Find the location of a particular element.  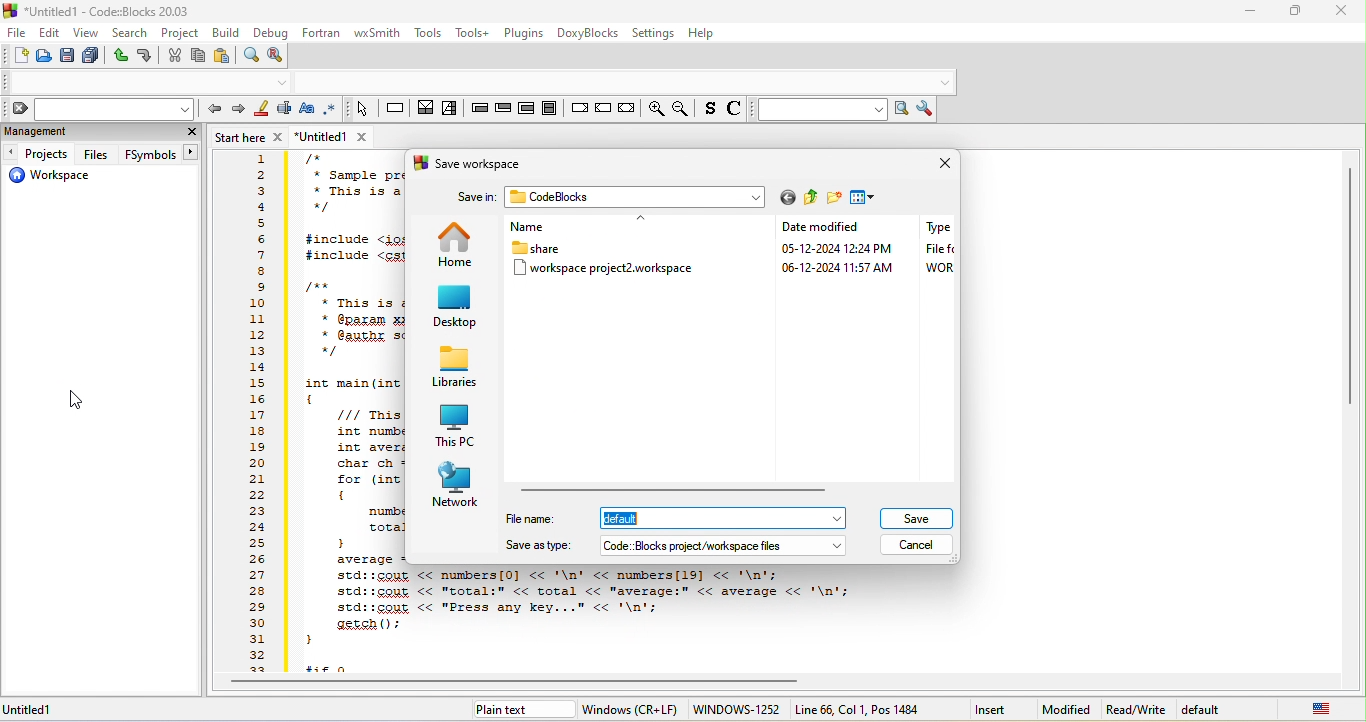

tools is located at coordinates (428, 33).